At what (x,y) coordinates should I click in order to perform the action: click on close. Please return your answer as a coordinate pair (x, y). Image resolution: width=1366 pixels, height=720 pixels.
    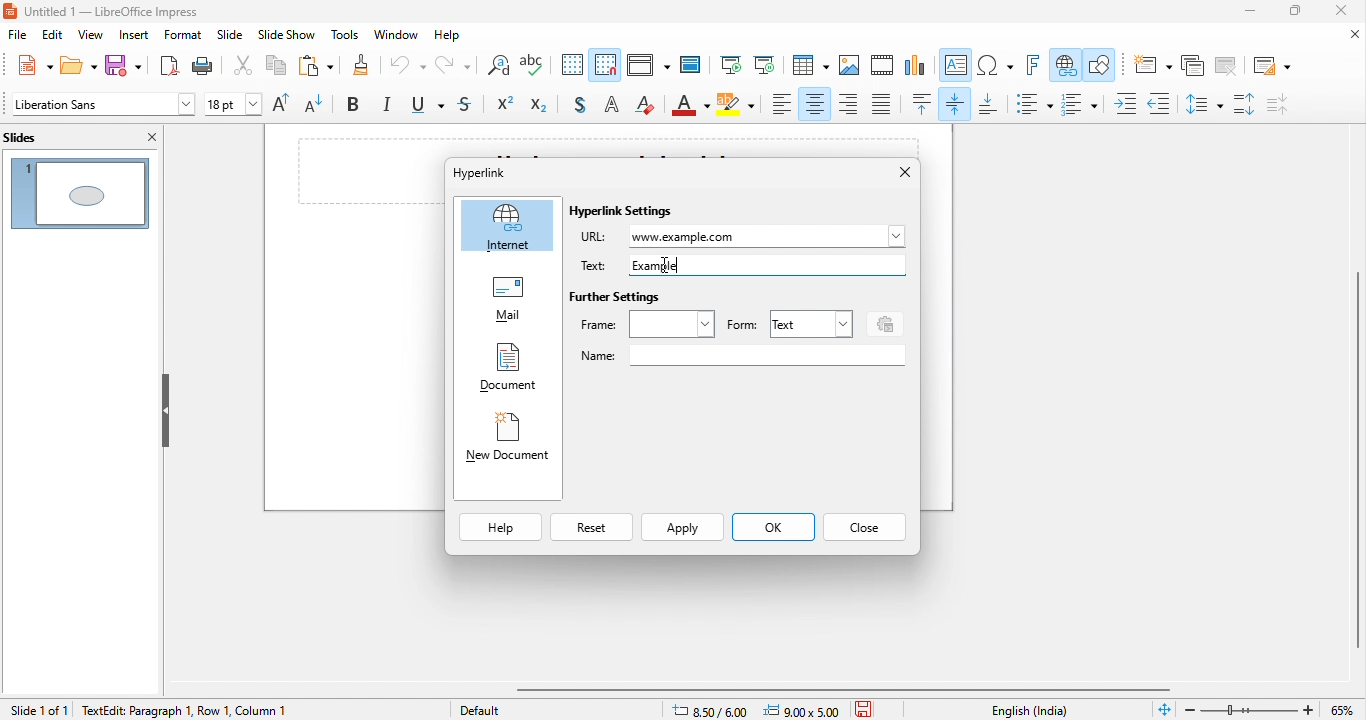
    Looking at the image, I should click on (148, 137).